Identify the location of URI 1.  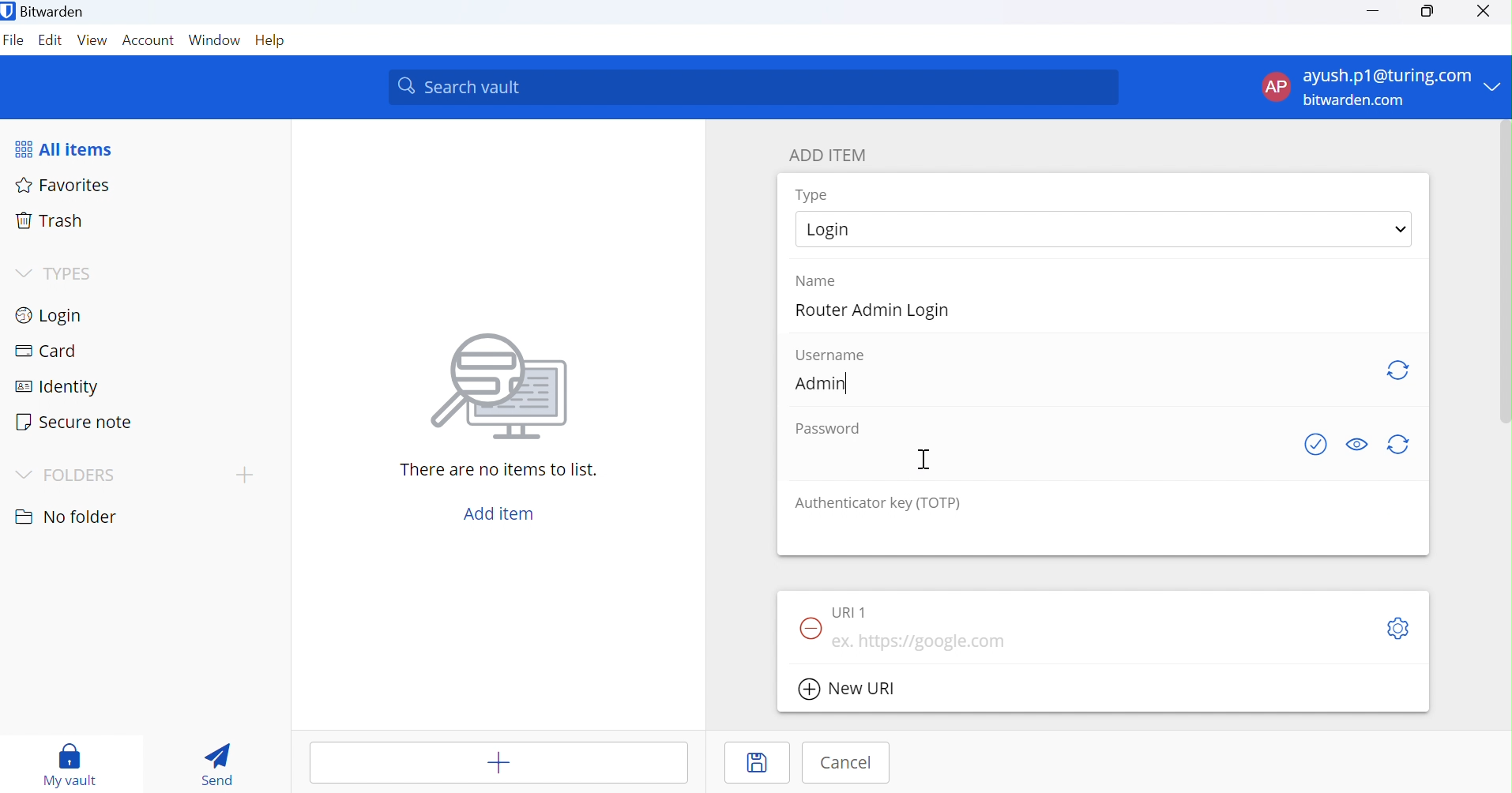
(850, 613).